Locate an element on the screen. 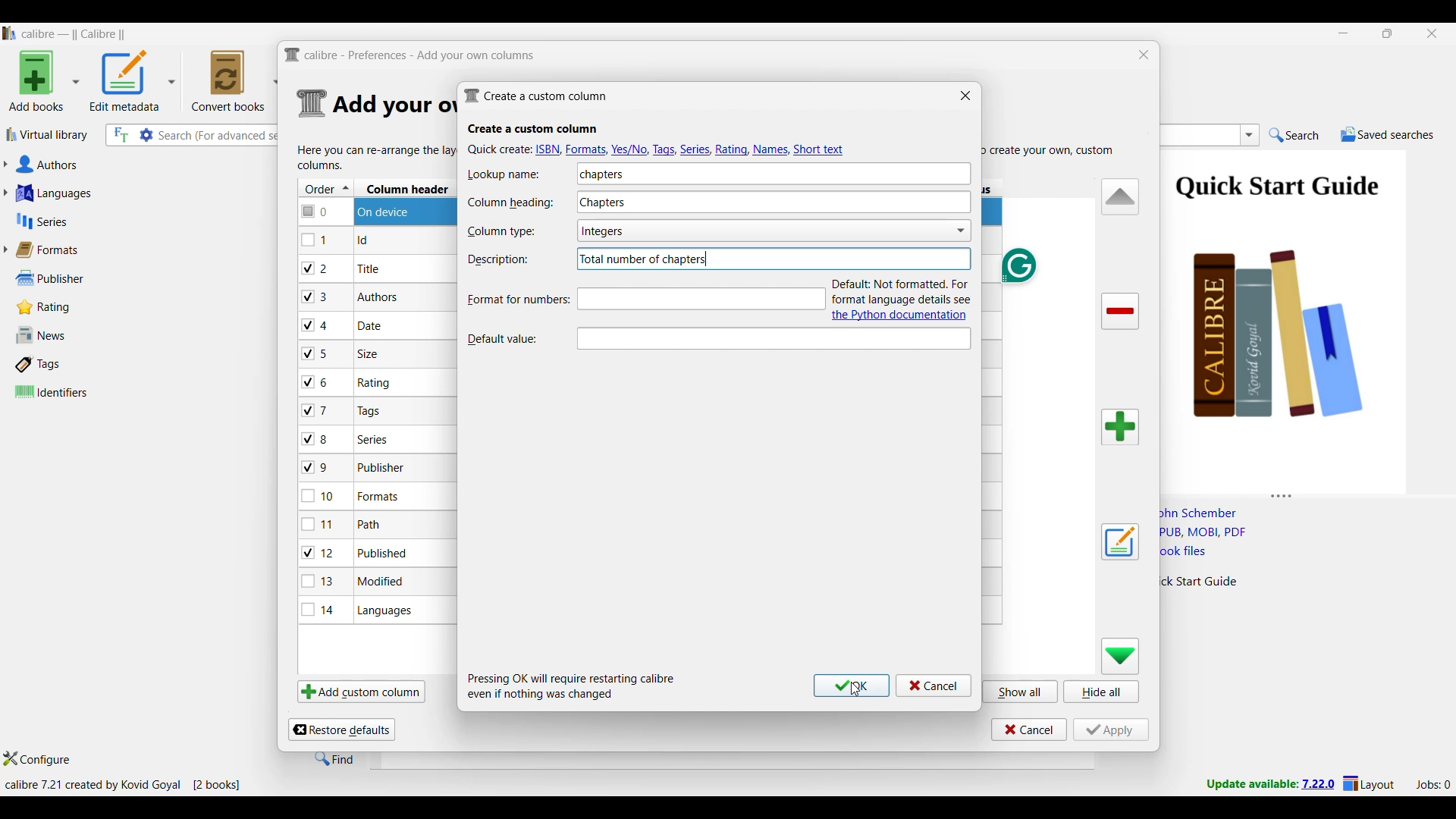  Rating is located at coordinates (52, 307).